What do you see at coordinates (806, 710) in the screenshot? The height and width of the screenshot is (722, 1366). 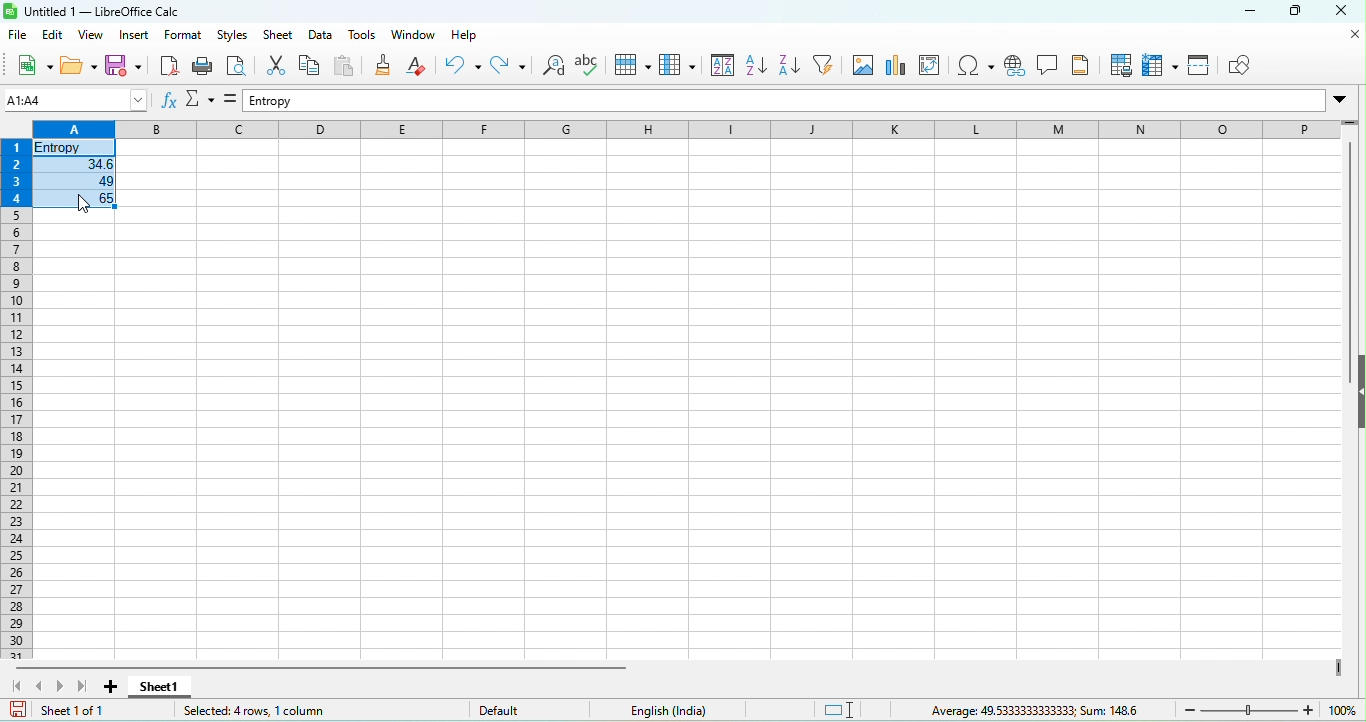 I see `standard selection` at bounding box center [806, 710].